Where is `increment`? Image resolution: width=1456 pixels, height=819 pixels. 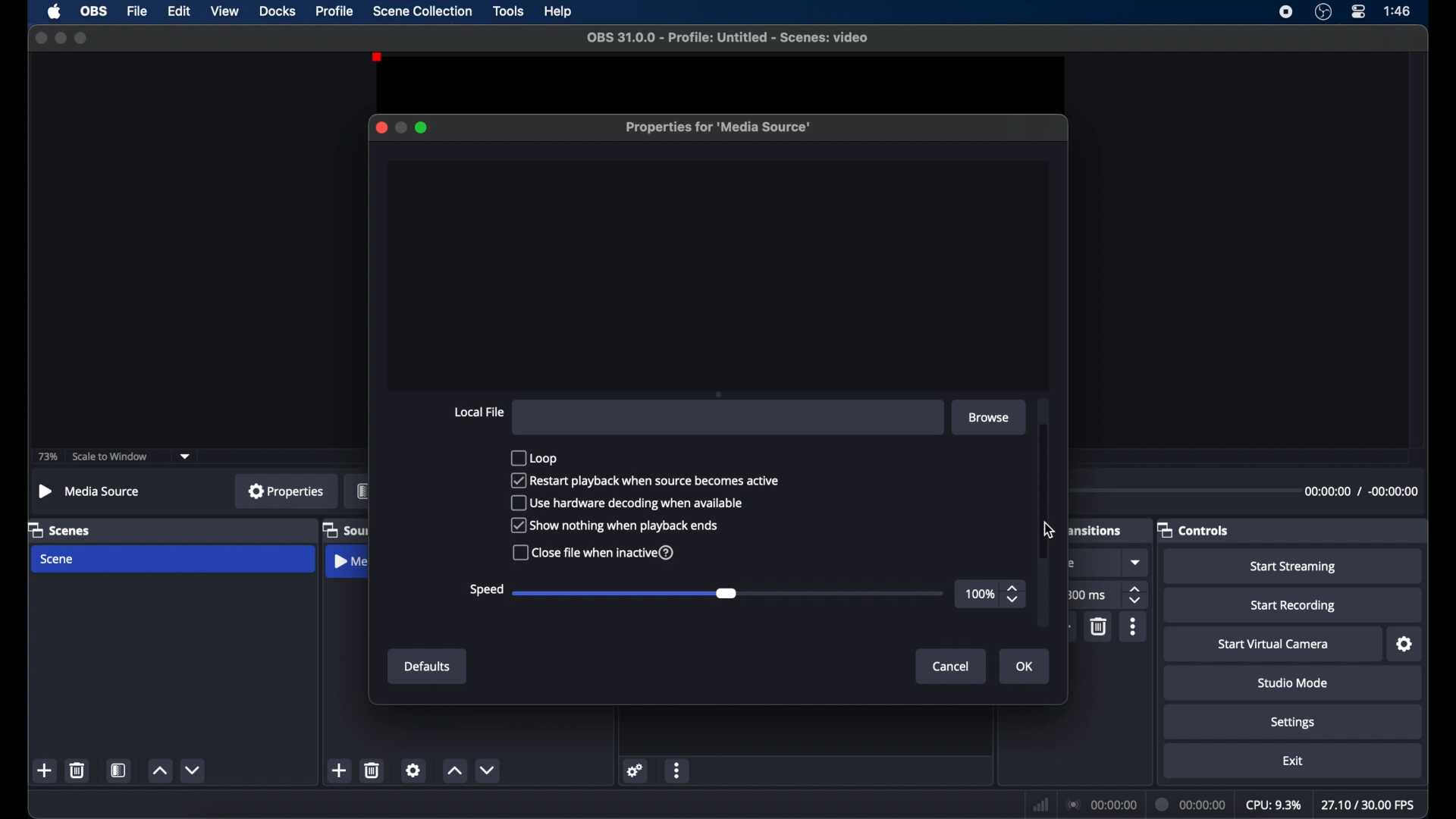 increment is located at coordinates (160, 770).